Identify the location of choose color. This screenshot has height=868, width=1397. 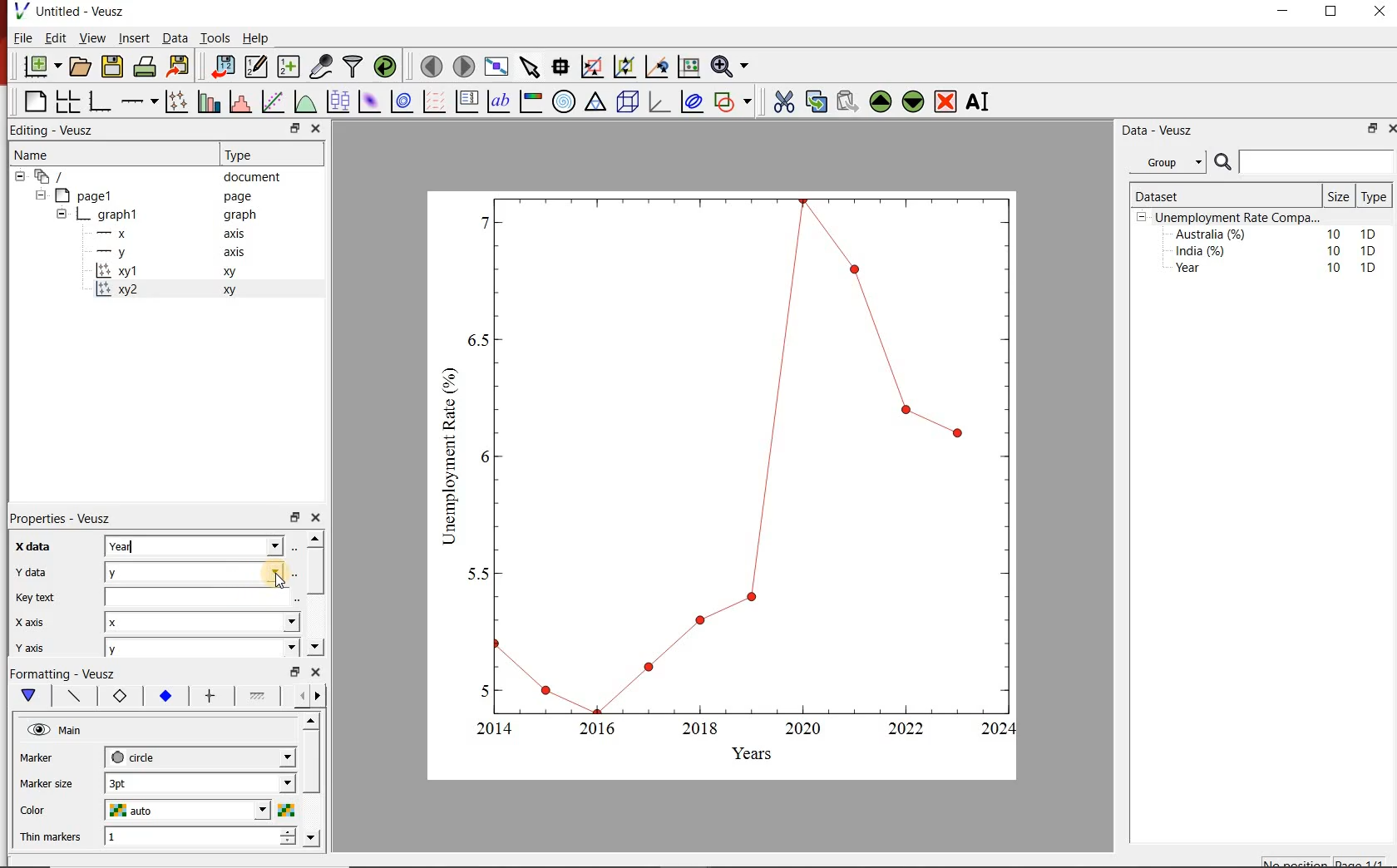
(285, 810).